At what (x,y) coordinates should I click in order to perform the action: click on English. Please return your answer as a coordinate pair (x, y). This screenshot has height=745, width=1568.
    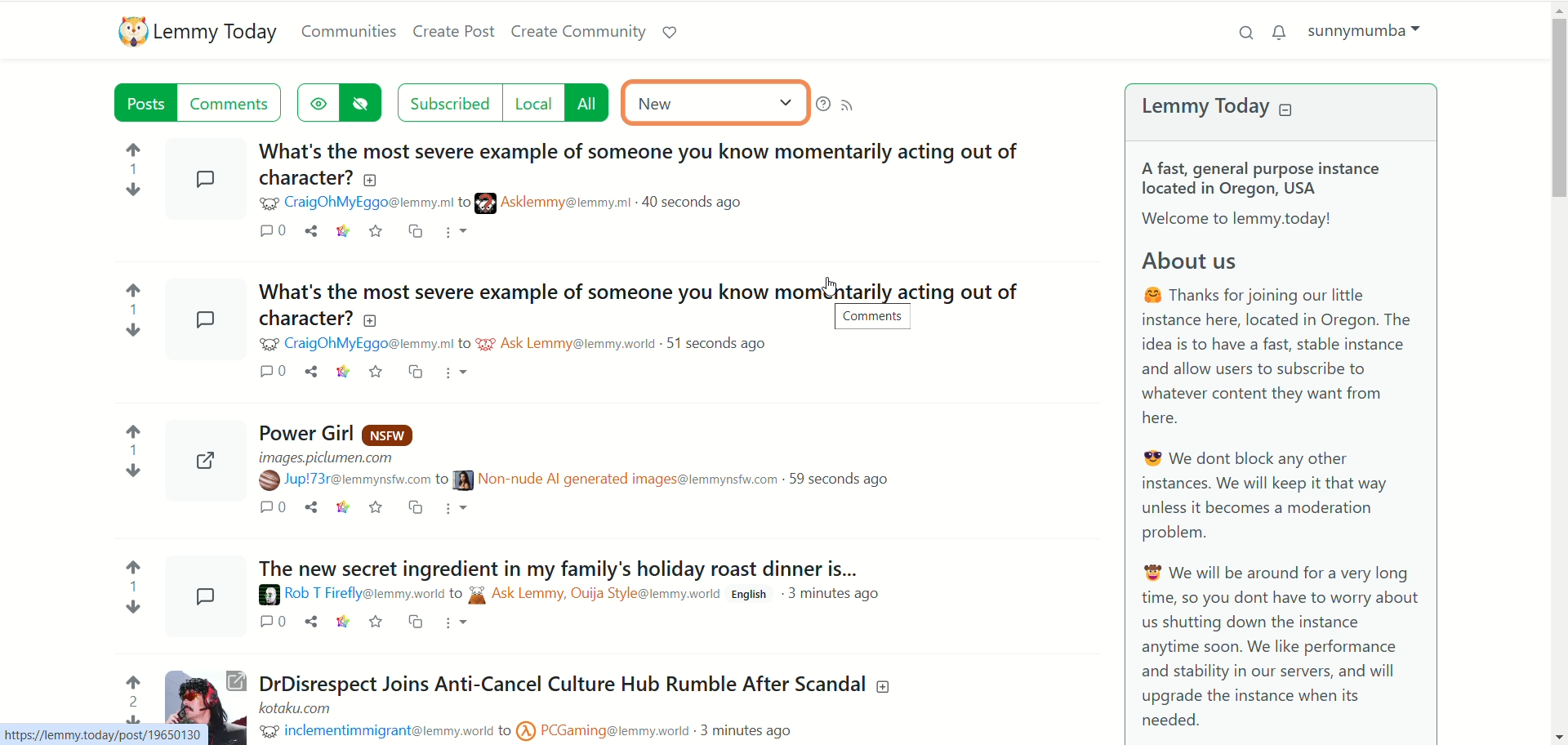
    Looking at the image, I should click on (751, 595).